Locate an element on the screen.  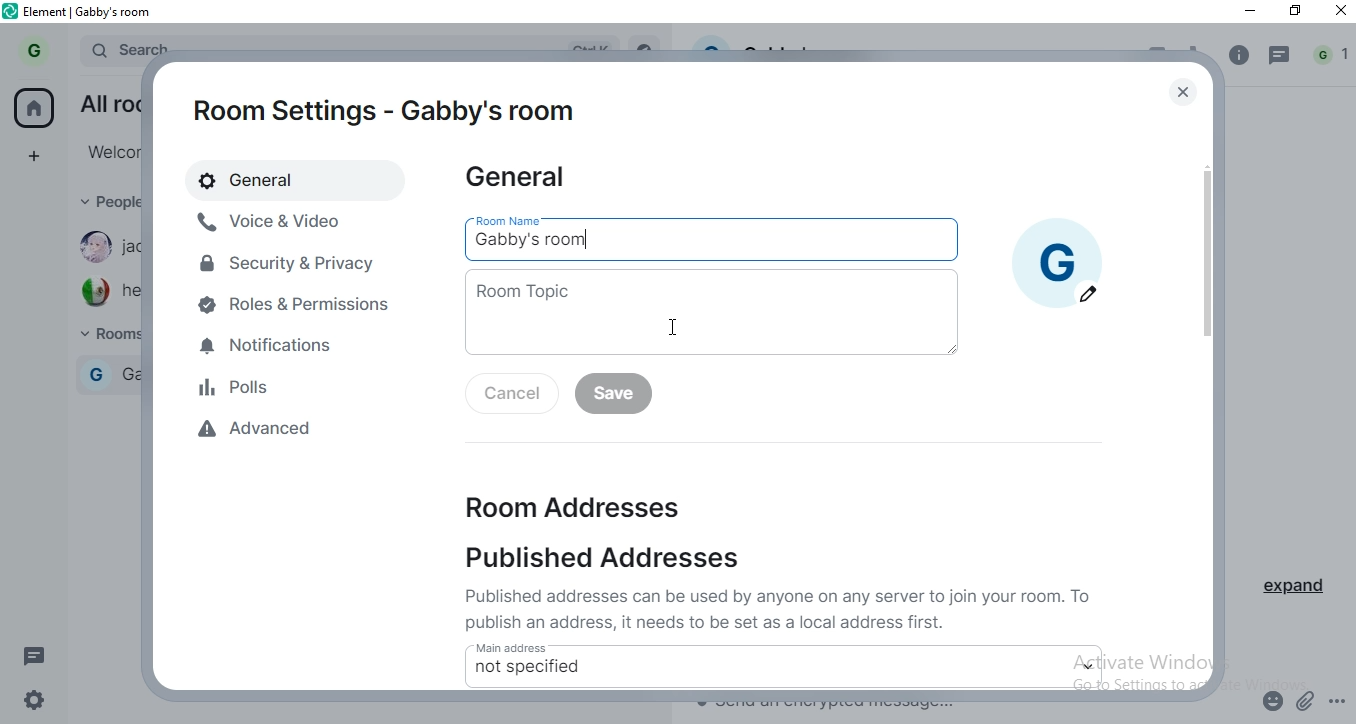
minimise is located at coordinates (1250, 14).